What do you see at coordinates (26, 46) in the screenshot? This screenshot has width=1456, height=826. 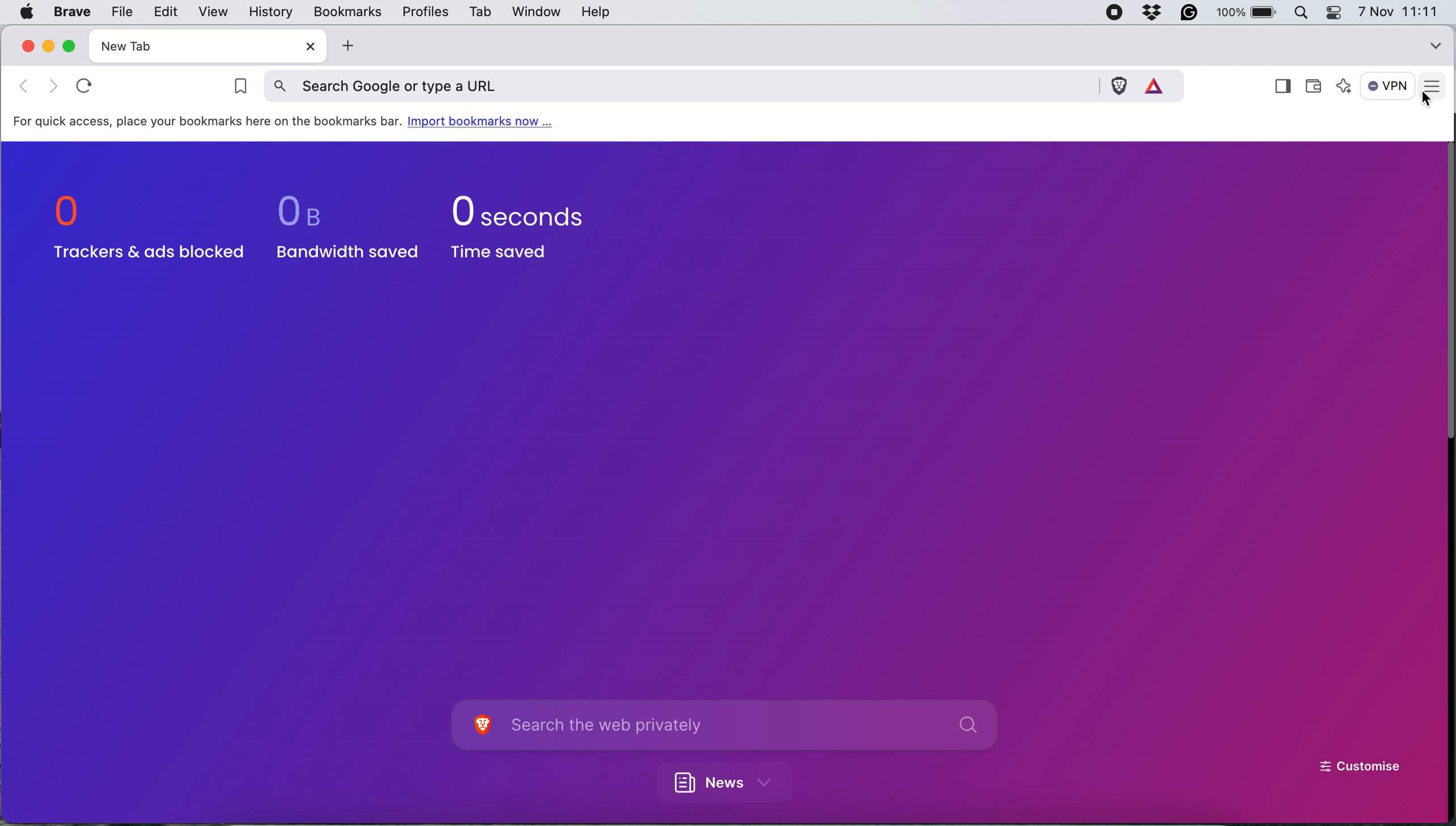 I see `close` at bounding box center [26, 46].